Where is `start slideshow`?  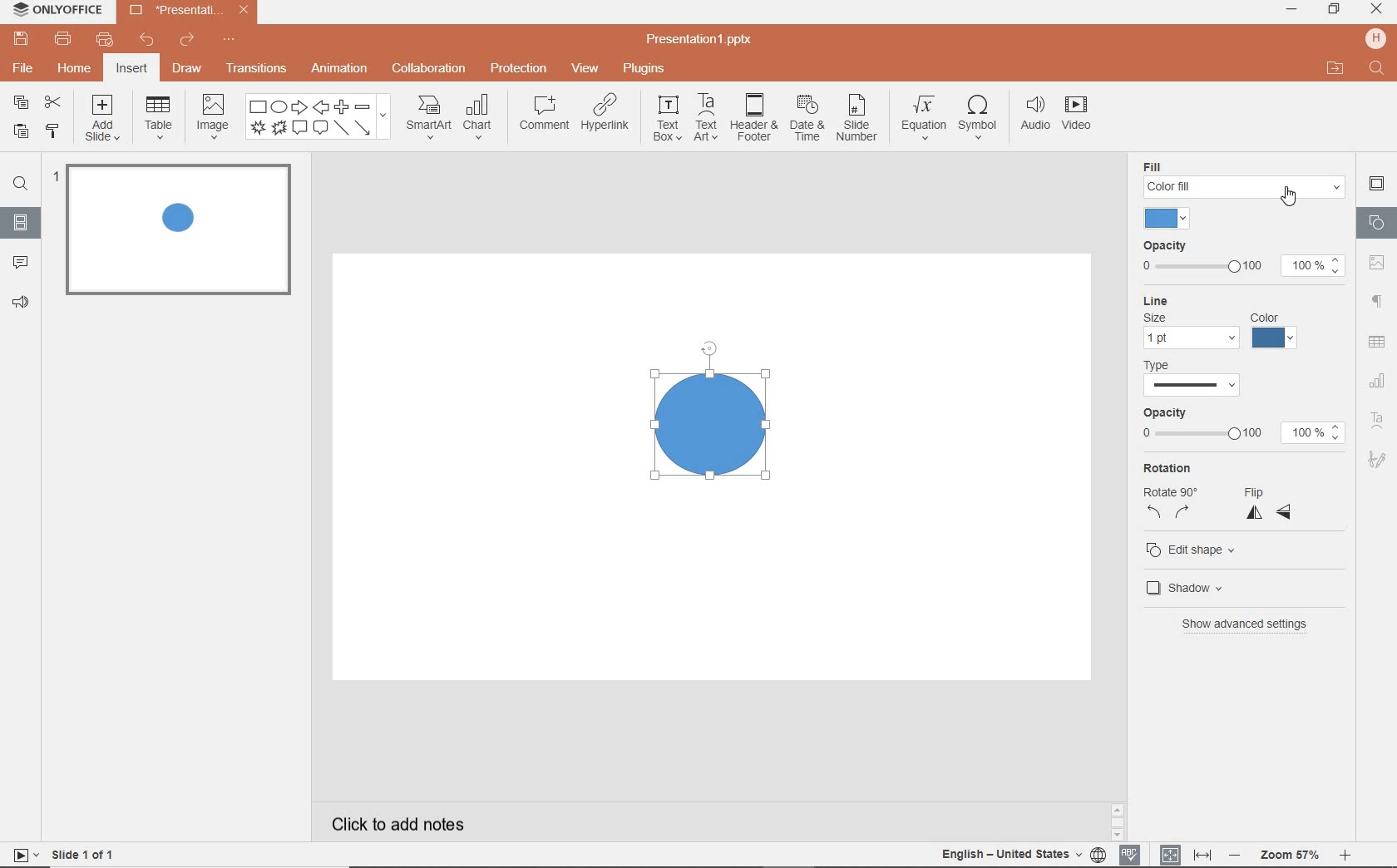 start slideshow is located at coordinates (22, 855).